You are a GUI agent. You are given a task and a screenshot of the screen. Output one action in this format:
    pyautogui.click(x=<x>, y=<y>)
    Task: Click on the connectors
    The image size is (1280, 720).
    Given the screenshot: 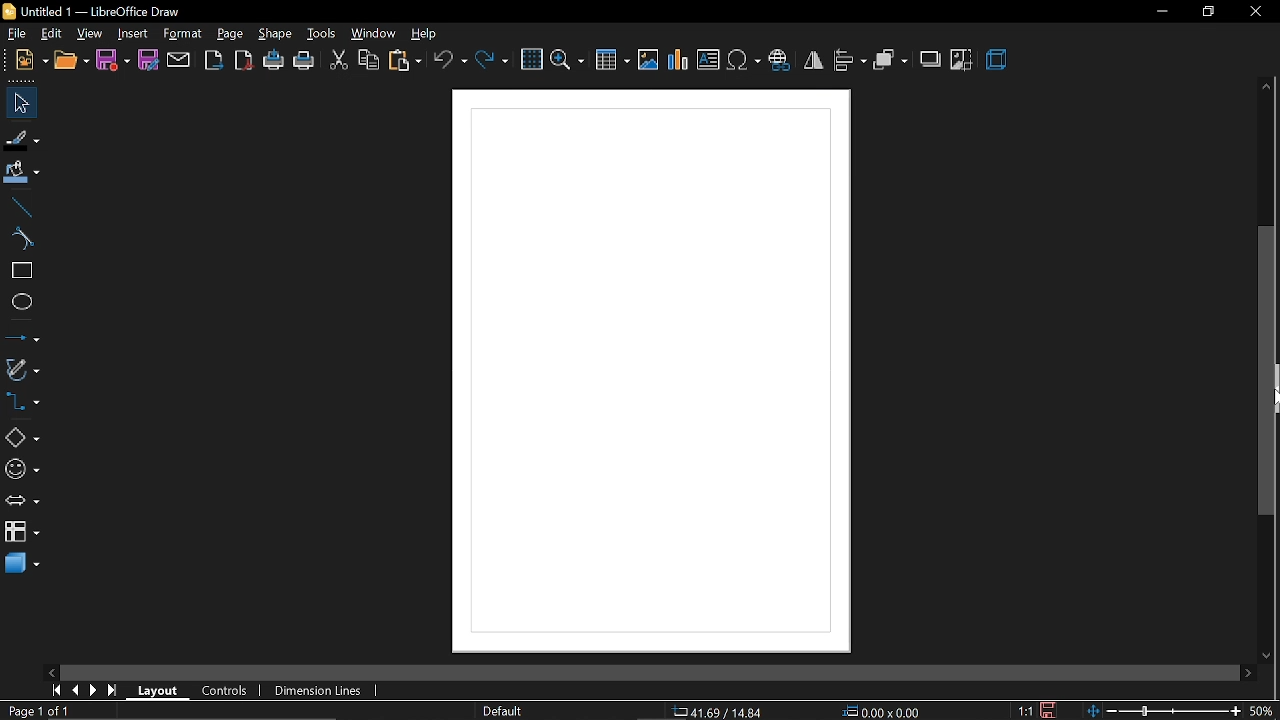 What is the action you would take?
    pyautogui.click(x=21, y=402)
    